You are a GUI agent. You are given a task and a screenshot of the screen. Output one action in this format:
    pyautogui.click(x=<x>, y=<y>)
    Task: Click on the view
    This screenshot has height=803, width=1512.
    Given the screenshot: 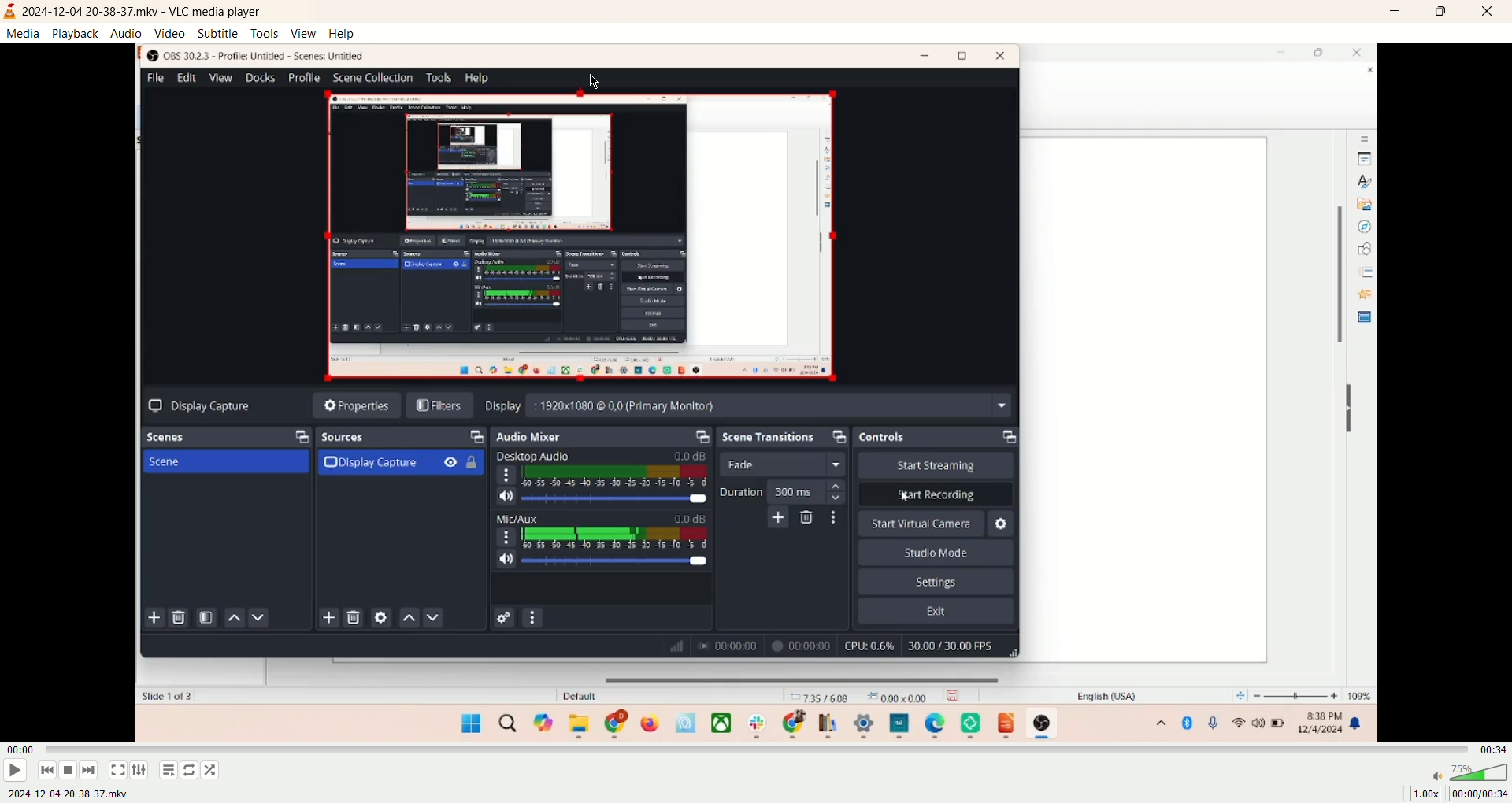 What is the action you would take?
    pyautogui.click(x=302, y=33)
    